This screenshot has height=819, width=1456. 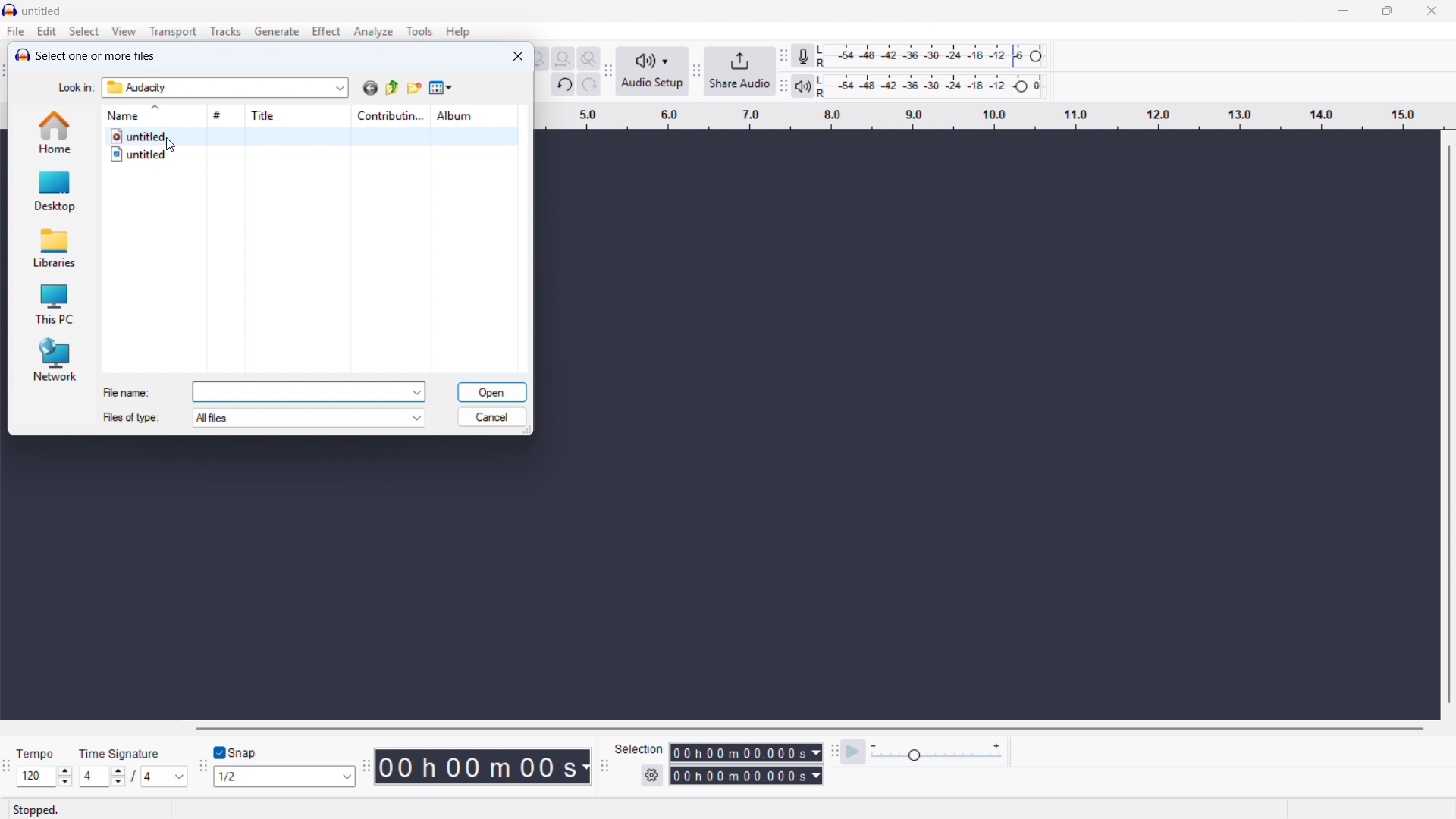 What do you see at coordinates (16, 33) in the screenshot?
I see `file ` at bounding box center [16, 33].